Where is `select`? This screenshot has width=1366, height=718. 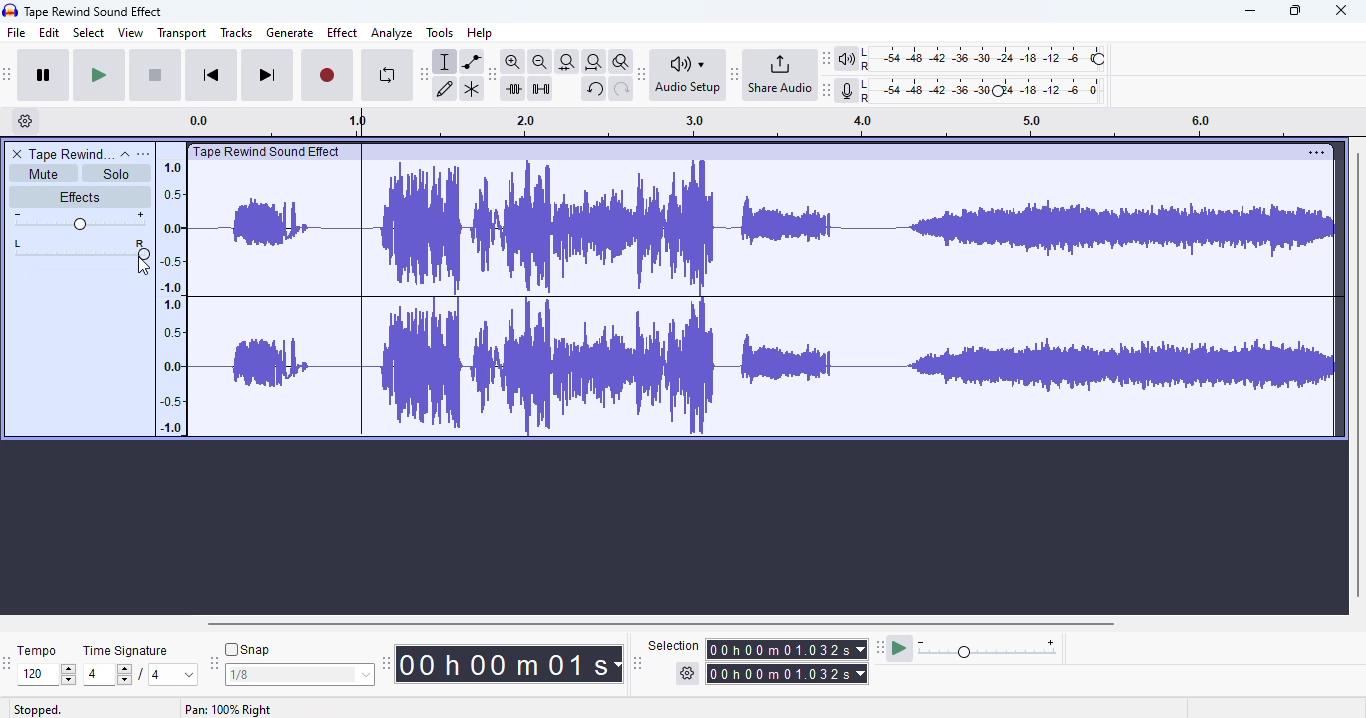 select is located at coordinates (90, 32).